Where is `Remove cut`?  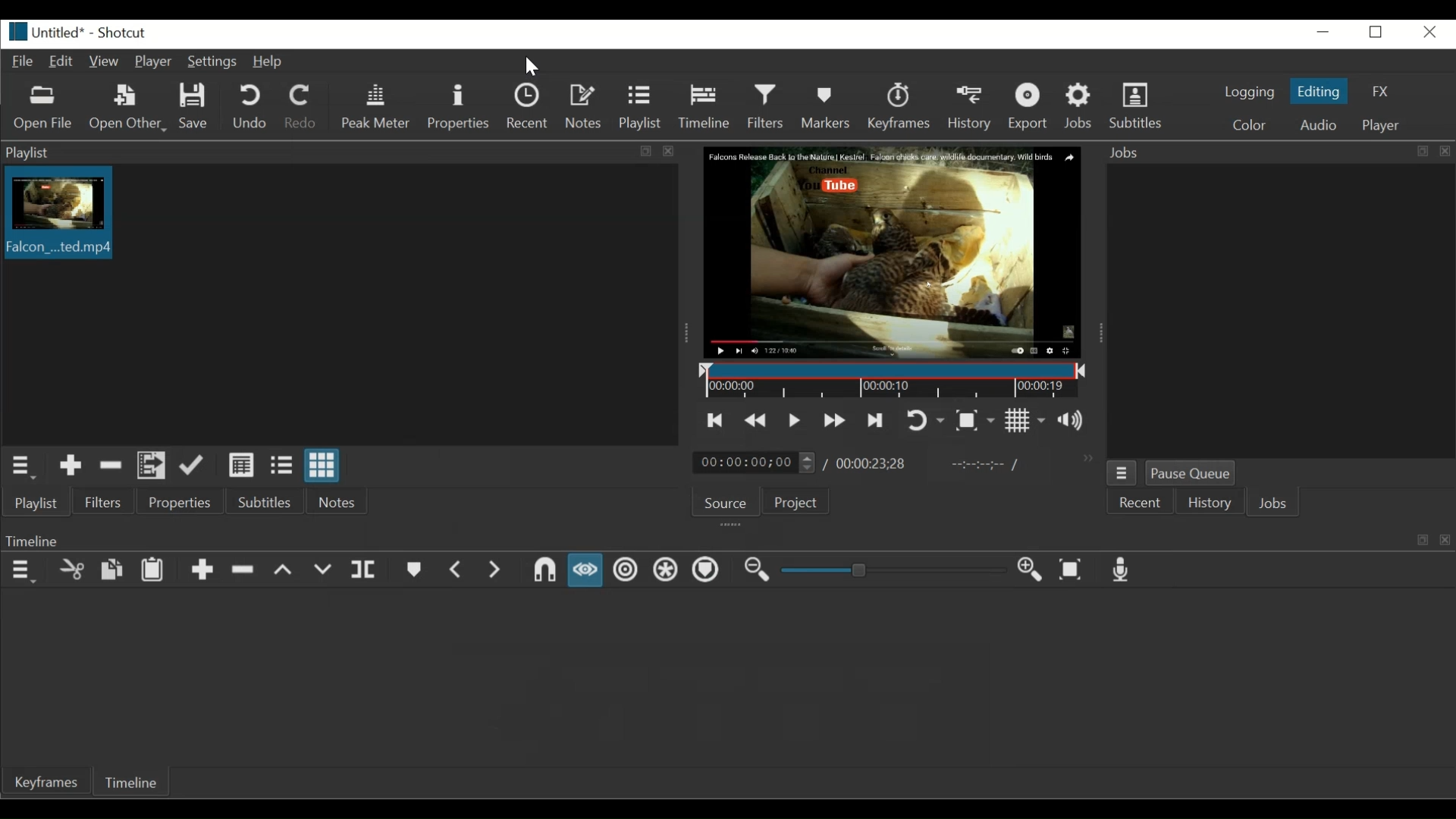 Remove cut is located at coordinates (111, 466).